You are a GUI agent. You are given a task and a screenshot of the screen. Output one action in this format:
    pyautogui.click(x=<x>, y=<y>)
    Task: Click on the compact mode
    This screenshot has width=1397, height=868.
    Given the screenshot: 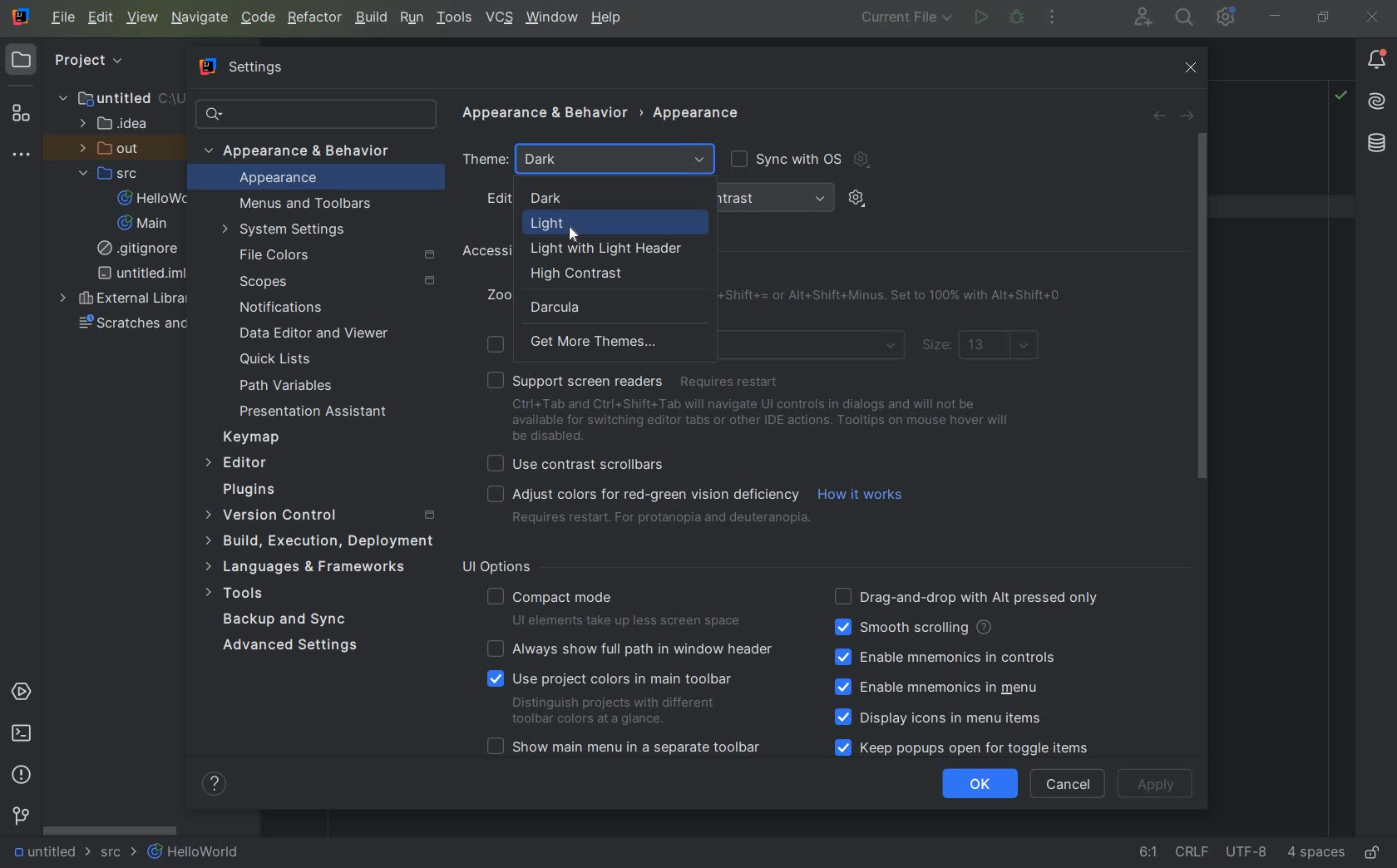 What is the action you would take?
    pyautogui.click(x=618, y=605)
    